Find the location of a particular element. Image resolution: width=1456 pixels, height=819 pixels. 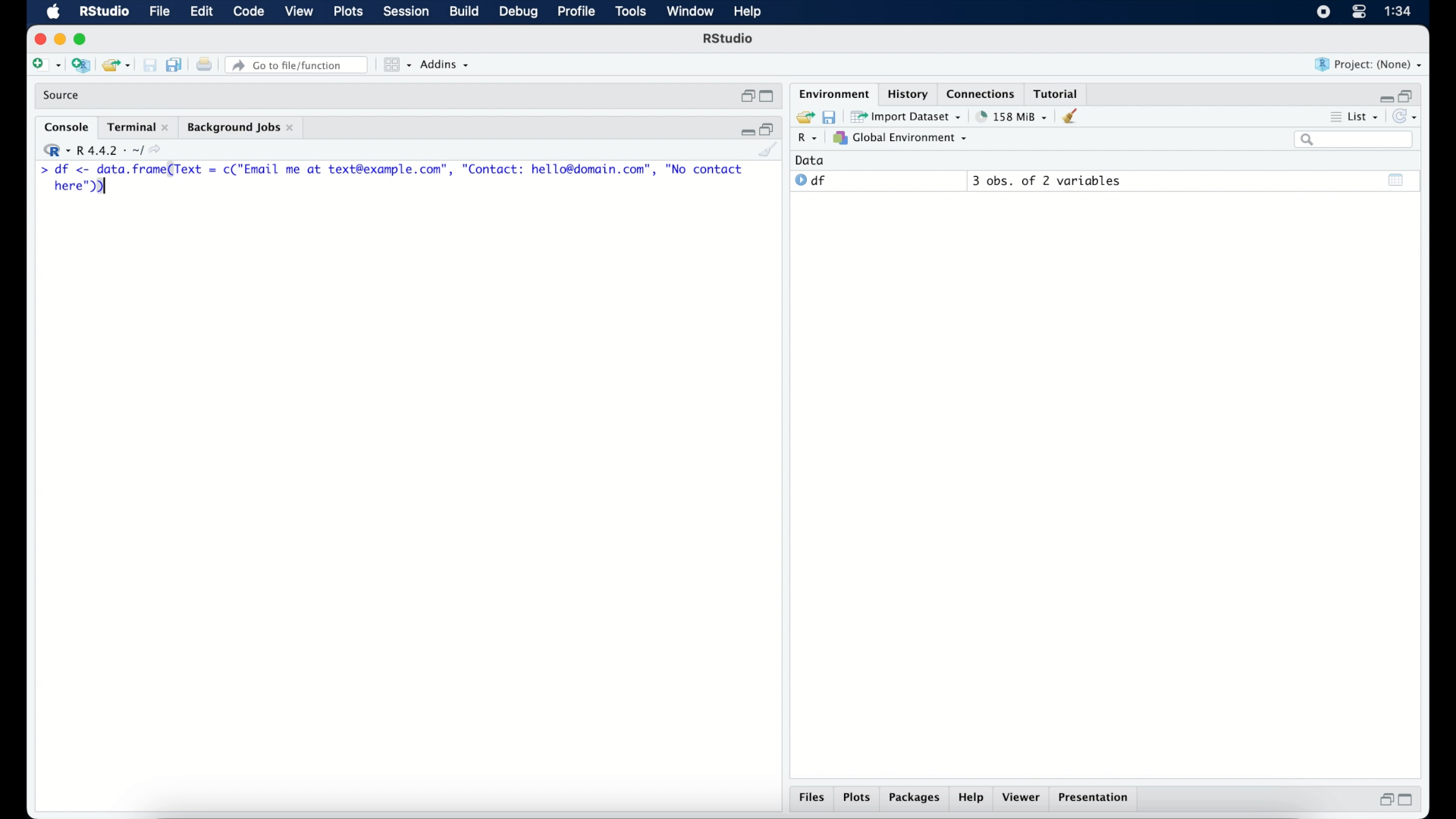

source is located at coordinates (64, 96).